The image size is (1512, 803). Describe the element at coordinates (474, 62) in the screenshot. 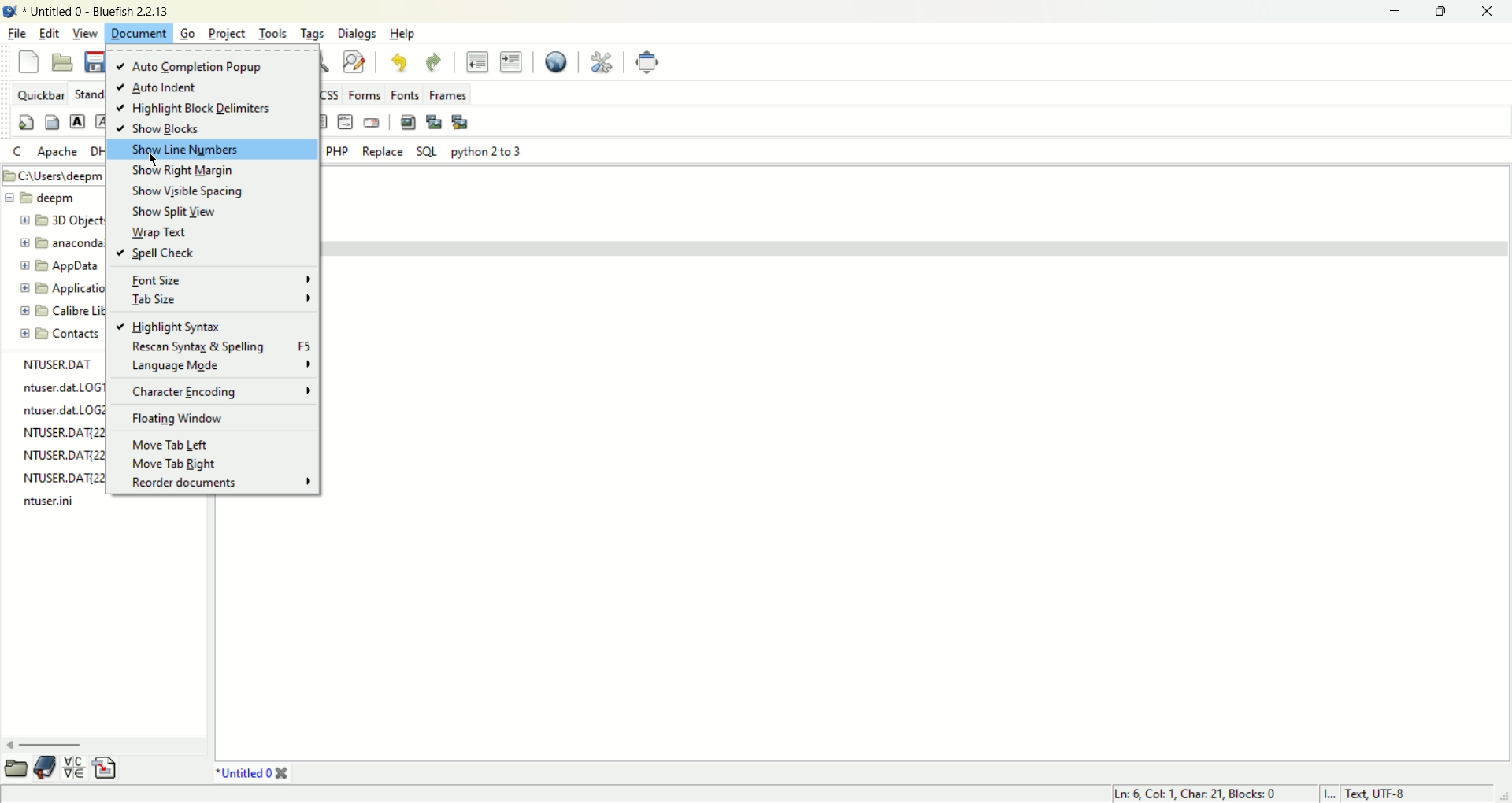

I see `unindent` at that location.